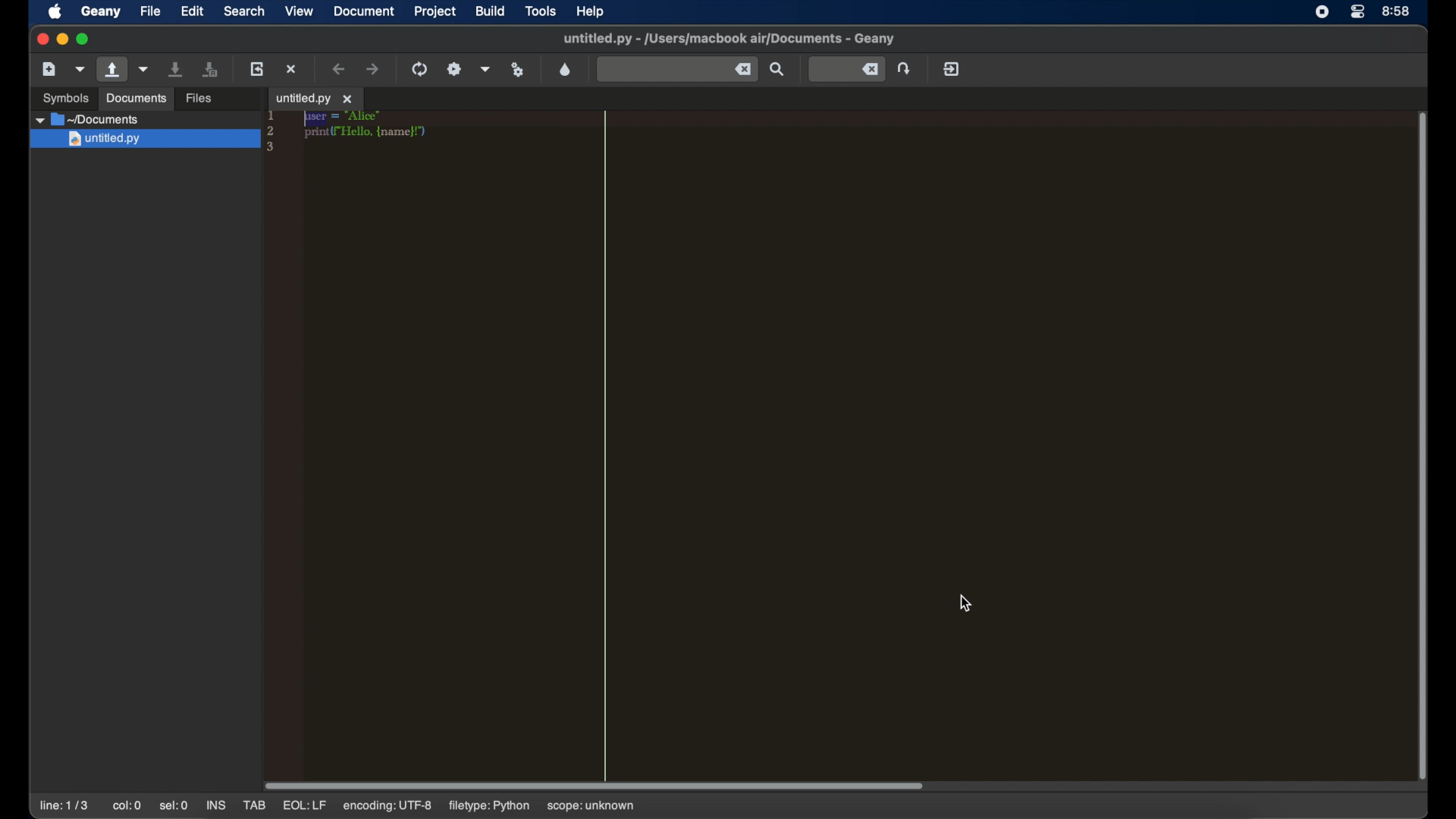 The width and height of the screenshot is (1456, 819). I want to click on col:0, so click(127, 806).